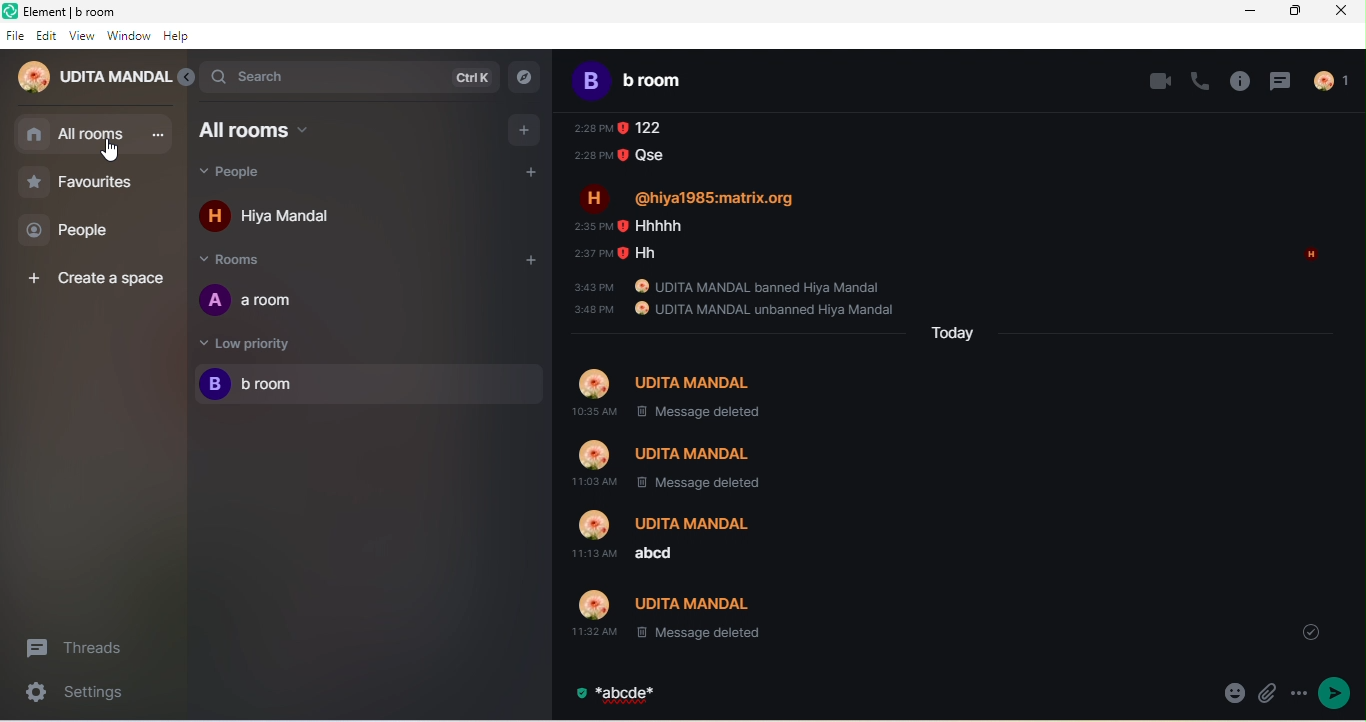  I want to click on a room, so click(260, 299).